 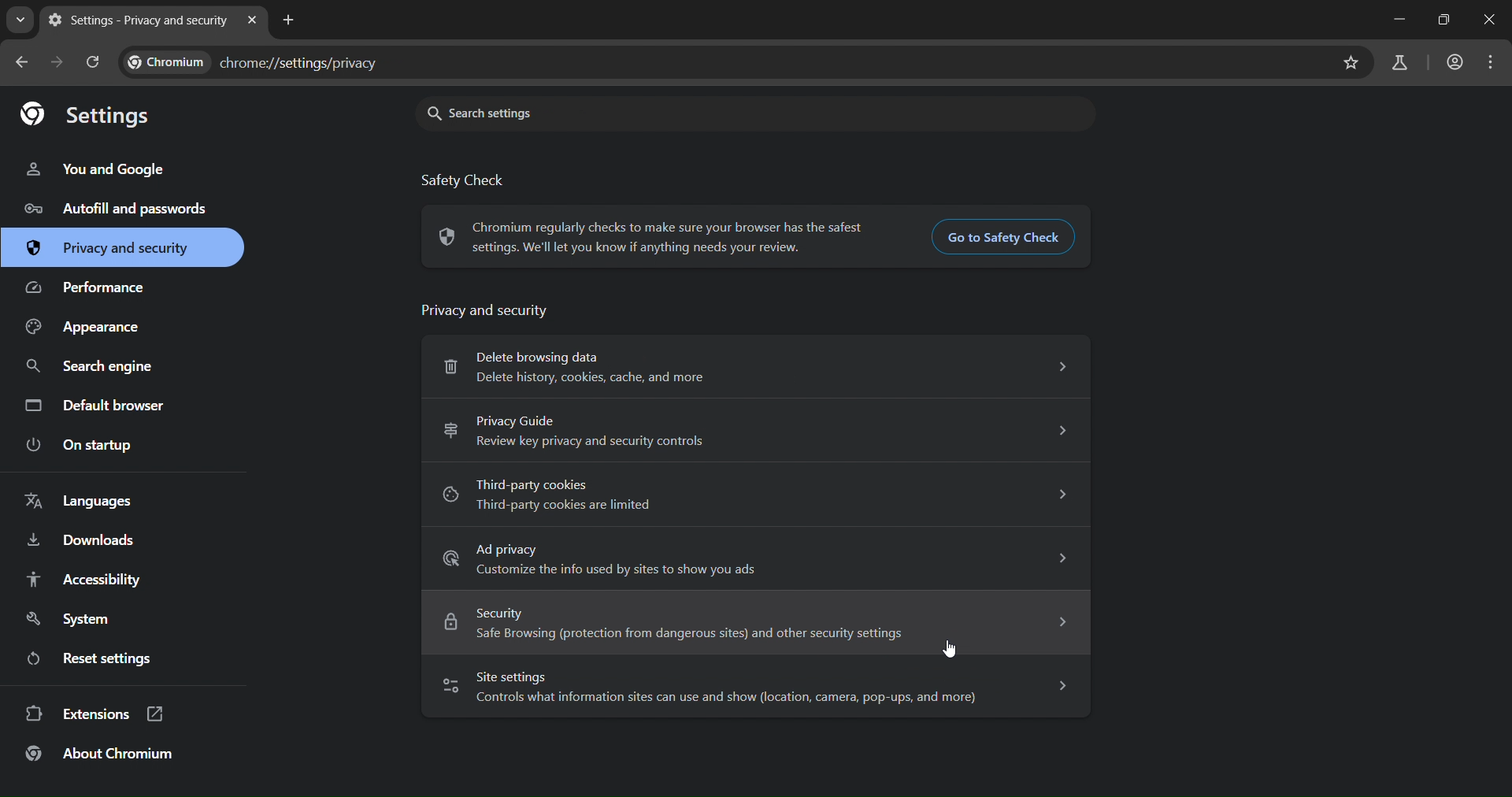 What do you see at coordinates (254, 21) in the screenshot?
I see `close tab` at bounding box center [254, 21].